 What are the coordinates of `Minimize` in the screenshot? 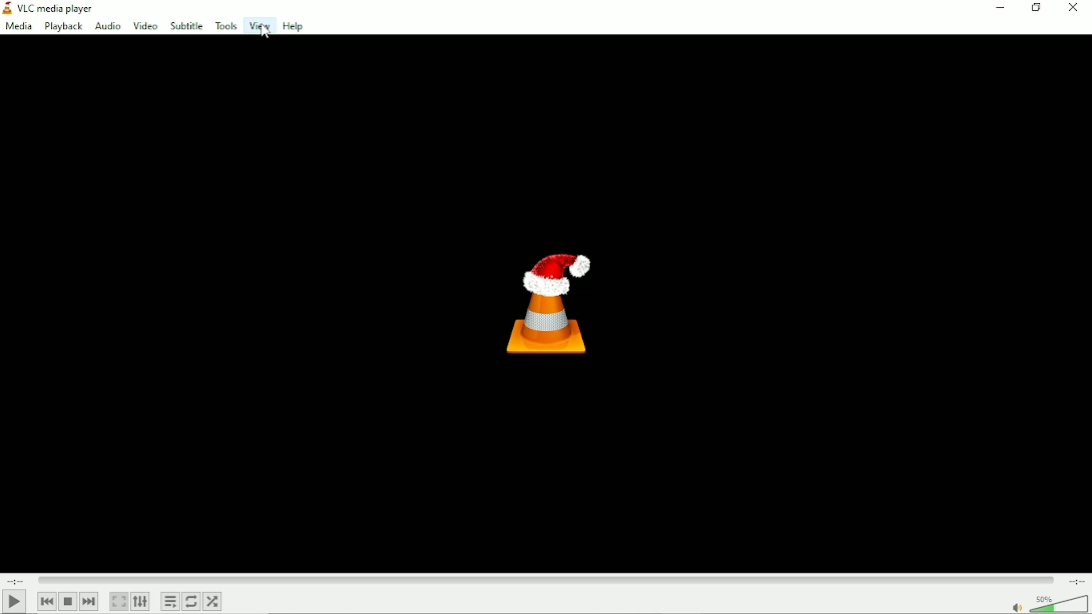 It's located at (999, 8).